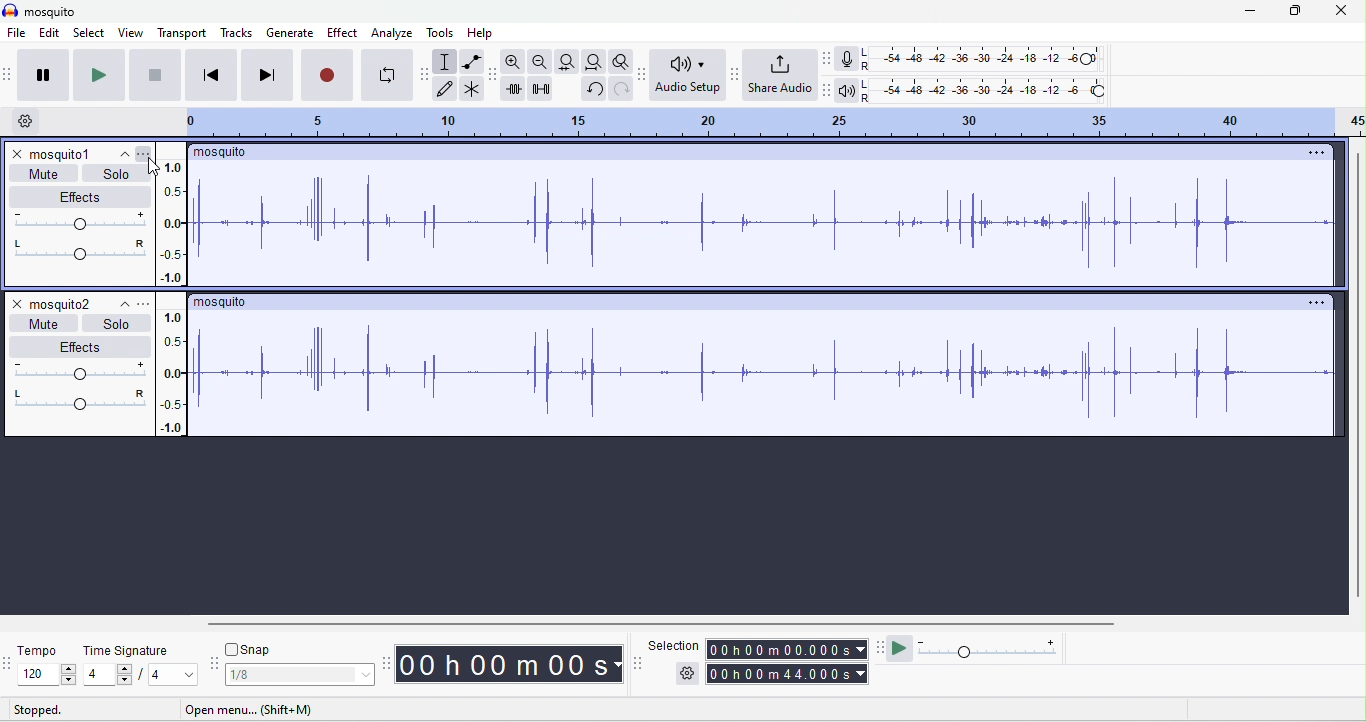 The height and width of the screenshot is (722, 1366). What do you see at coordinates (213, 77) in the screenshot?
I see `skip to start` at bounding box center [213, 77].